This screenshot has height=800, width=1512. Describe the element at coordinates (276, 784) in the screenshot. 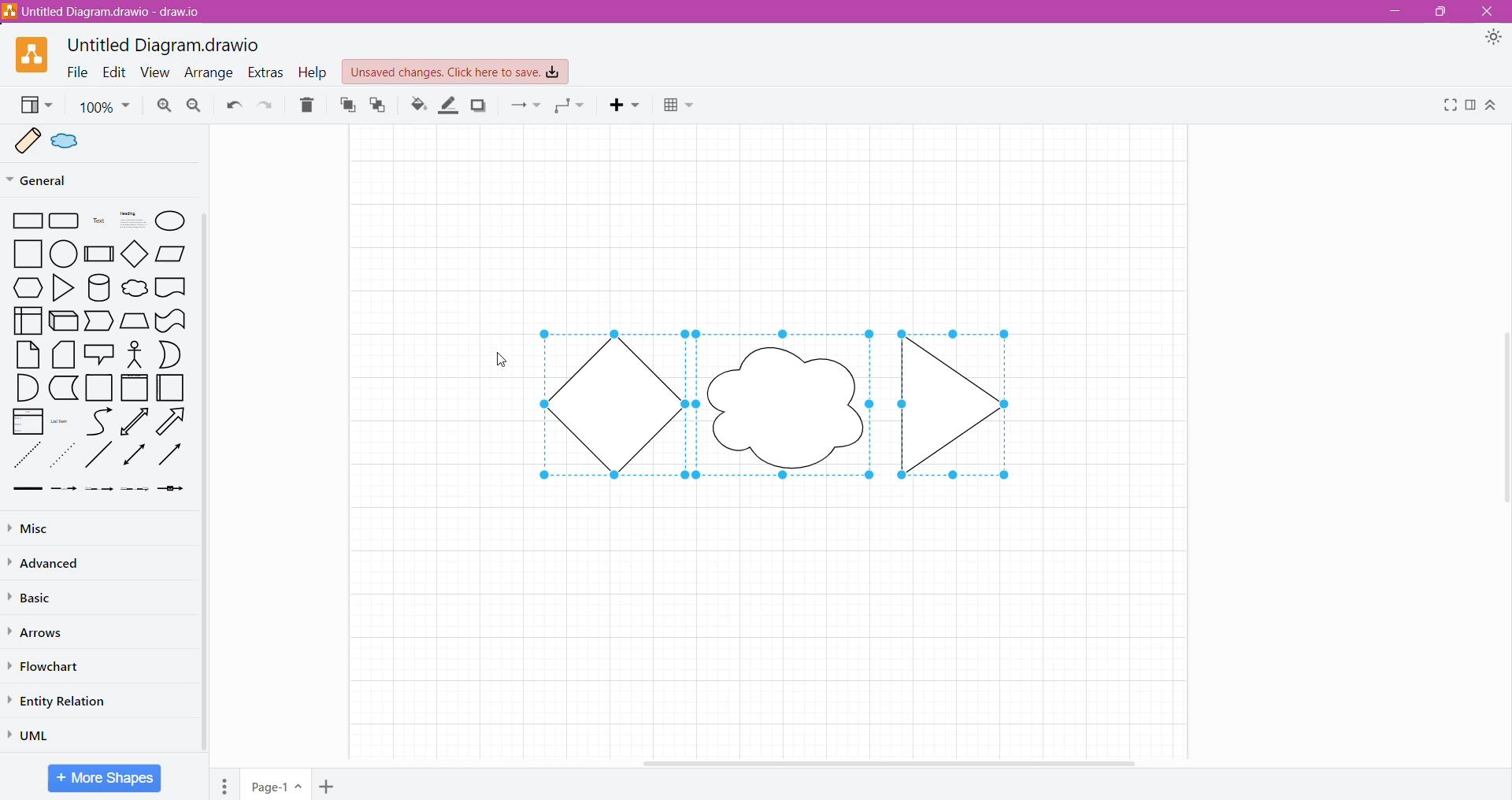

I see `Page-1` at that location.